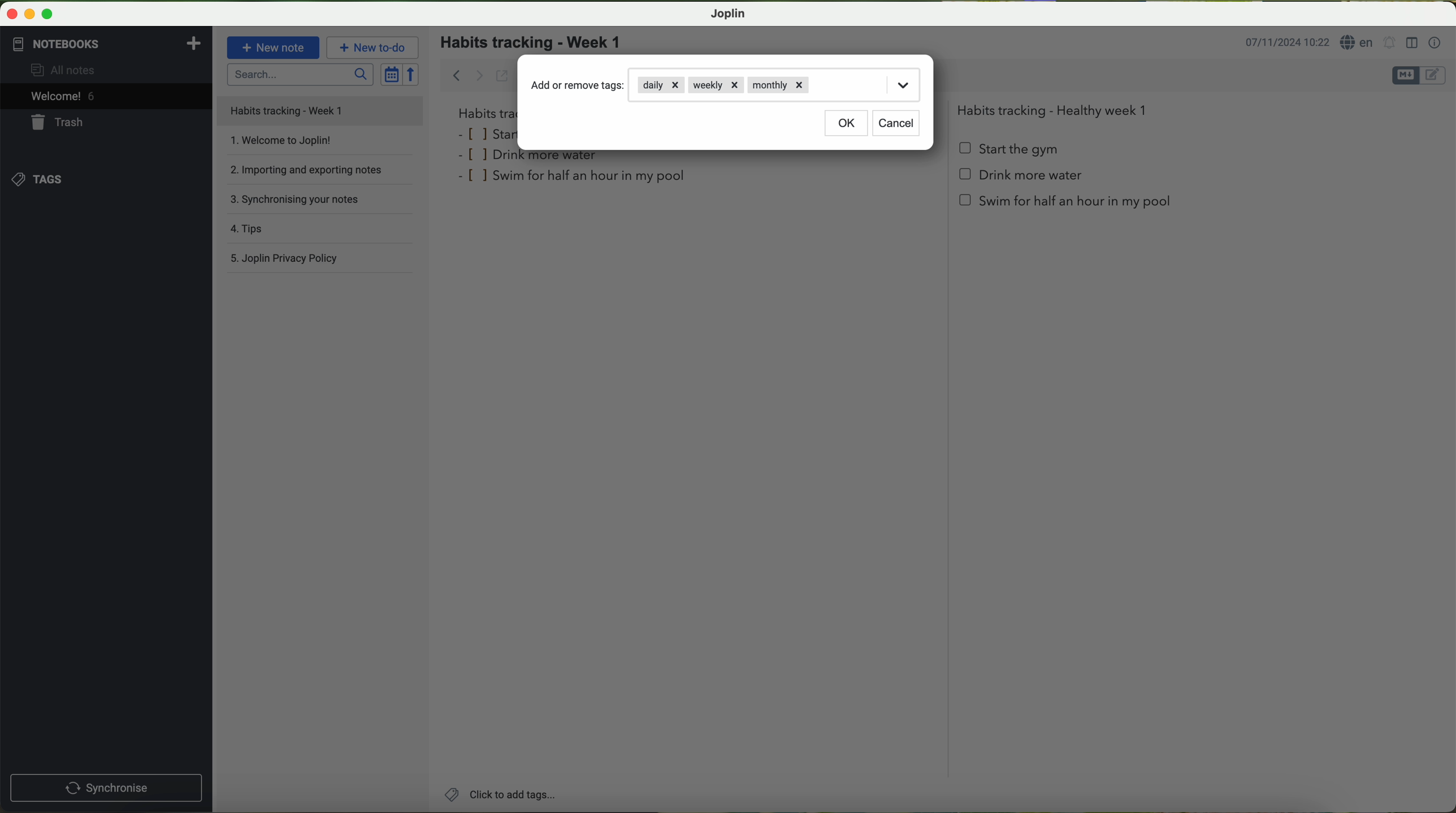 Image resolution: width=1456 pixels, height=813 pixels. What do you see at coordinates (412, 74) in the screenshot?
I see `reverse sort order` at bounding box center [412, 74].